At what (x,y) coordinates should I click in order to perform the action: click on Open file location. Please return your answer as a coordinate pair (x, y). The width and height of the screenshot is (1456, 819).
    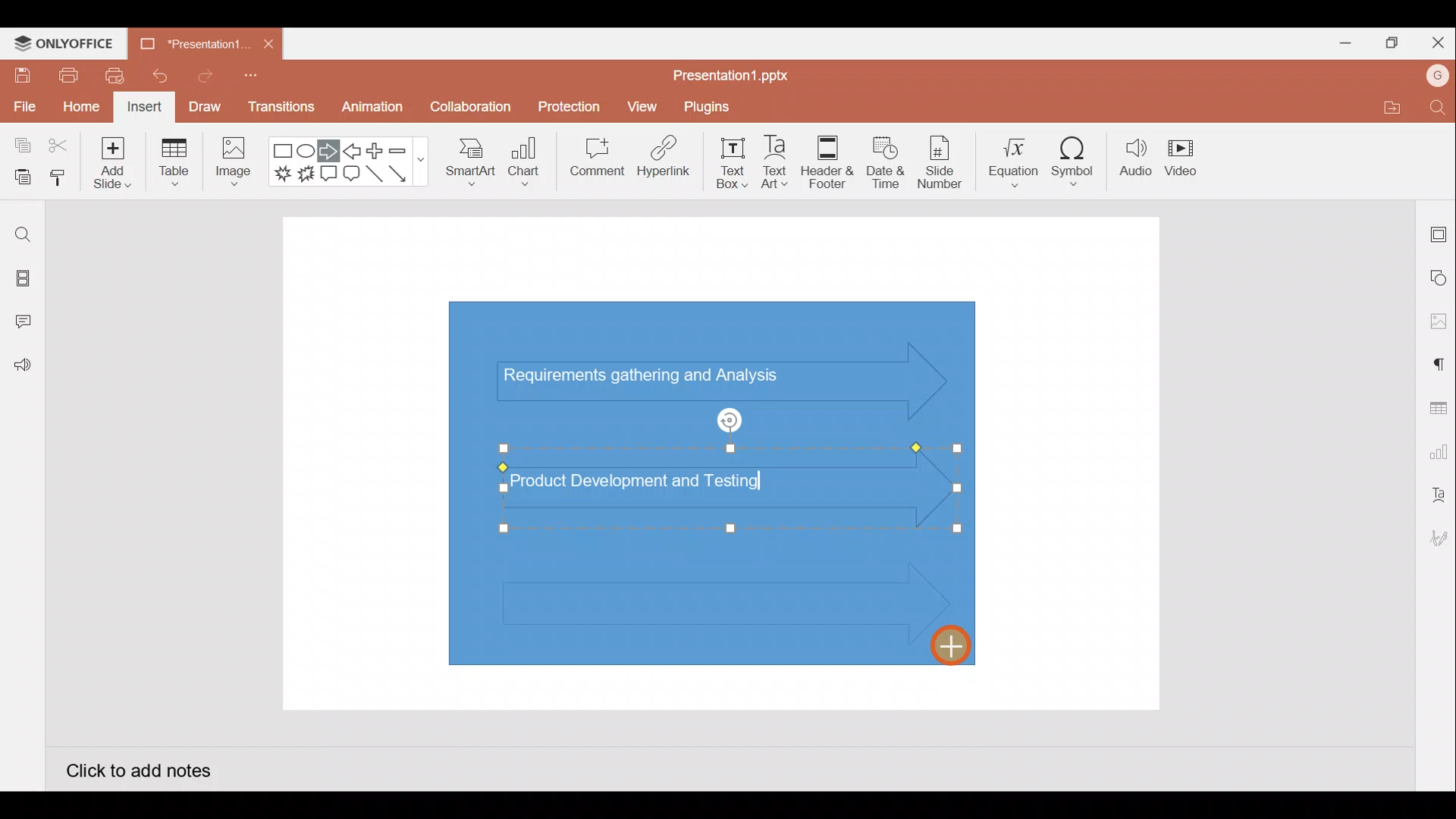
    Looking at the image, I should click on (1389, 107).